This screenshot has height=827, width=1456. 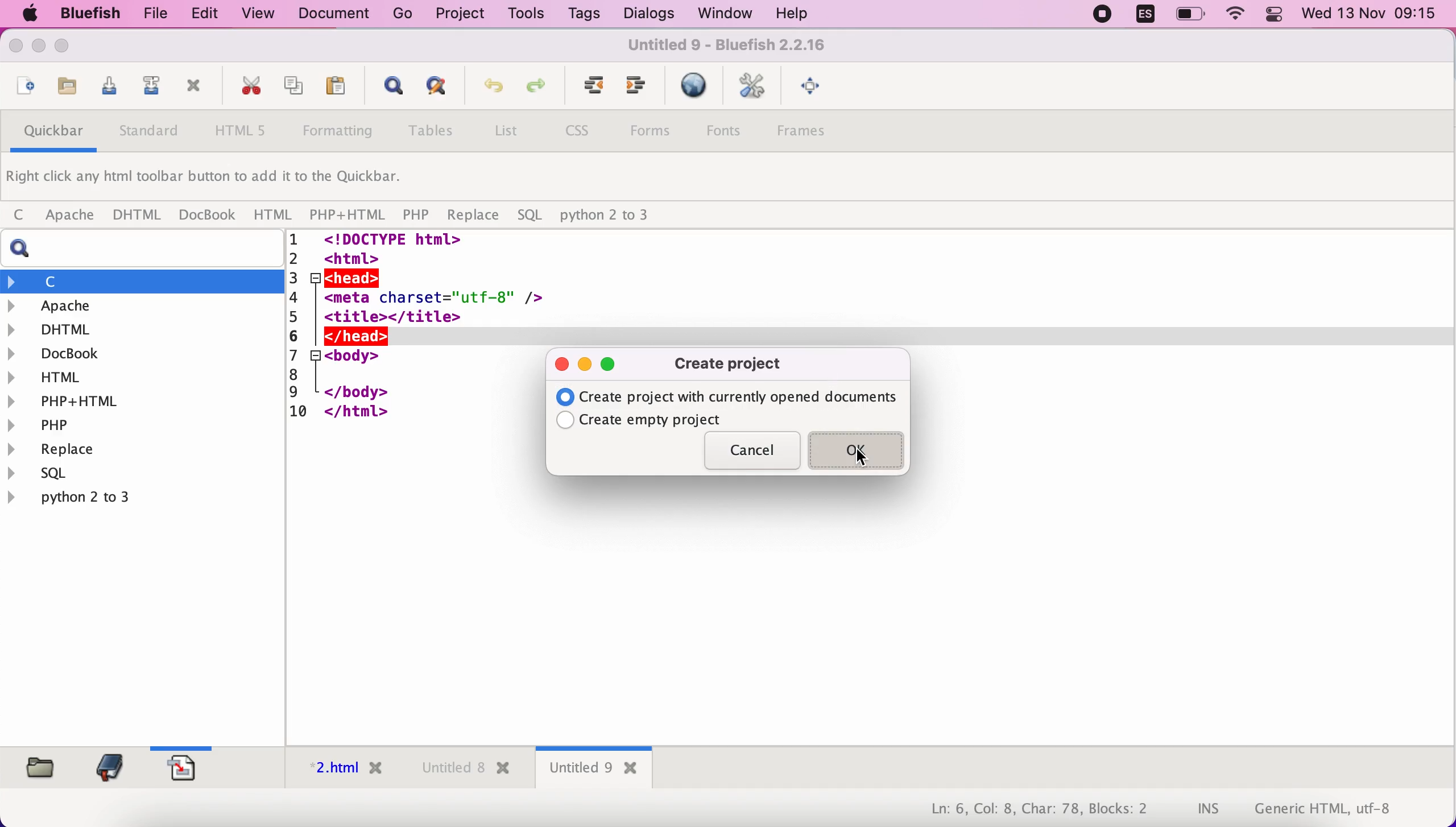 I want to click on PROJECT, so click(x=459, y=14).